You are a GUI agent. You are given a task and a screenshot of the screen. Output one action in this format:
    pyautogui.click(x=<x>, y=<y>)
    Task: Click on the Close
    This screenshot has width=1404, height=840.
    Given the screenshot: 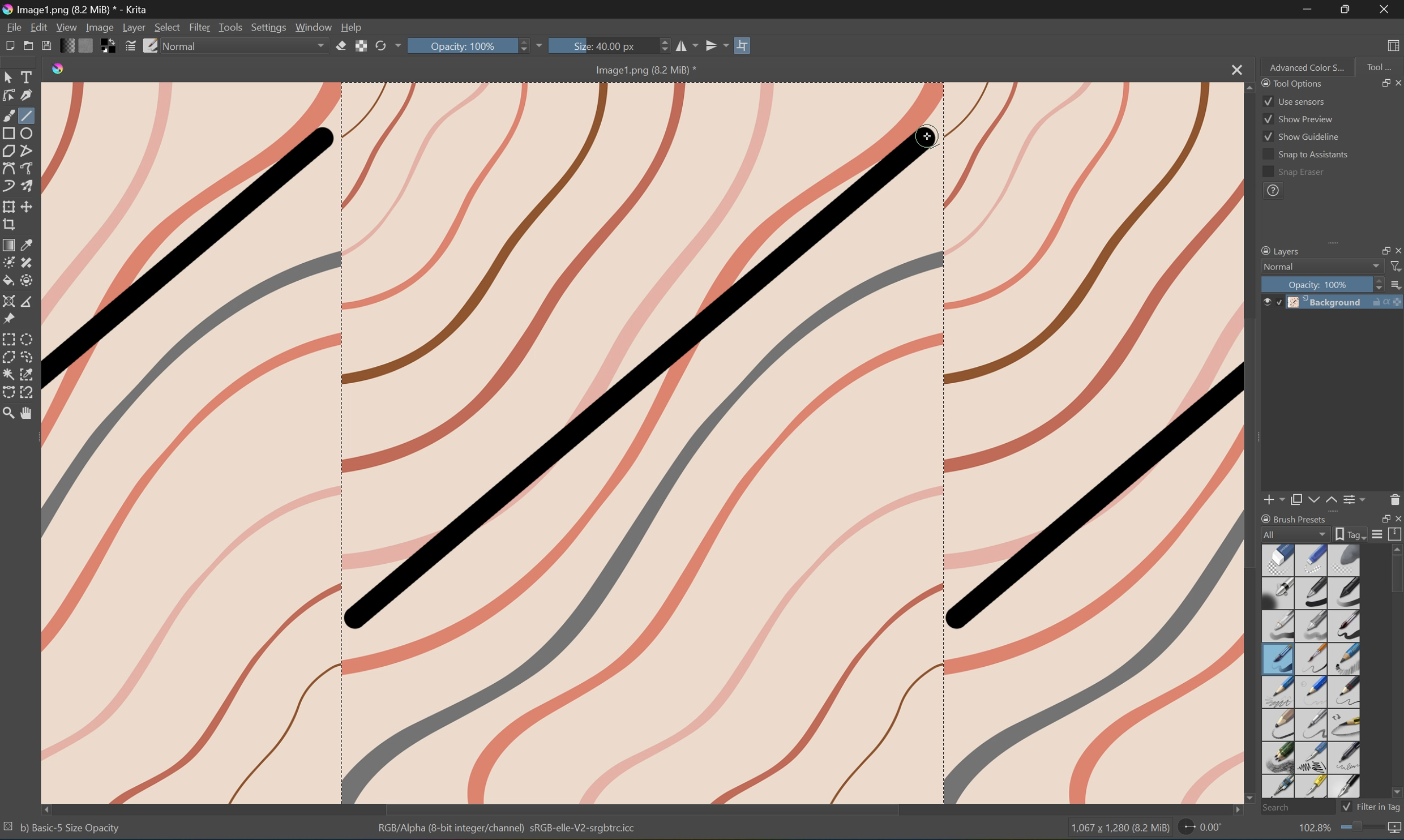 What is the action you would take?
    pyautogui.click(x=1395, y=83)
    